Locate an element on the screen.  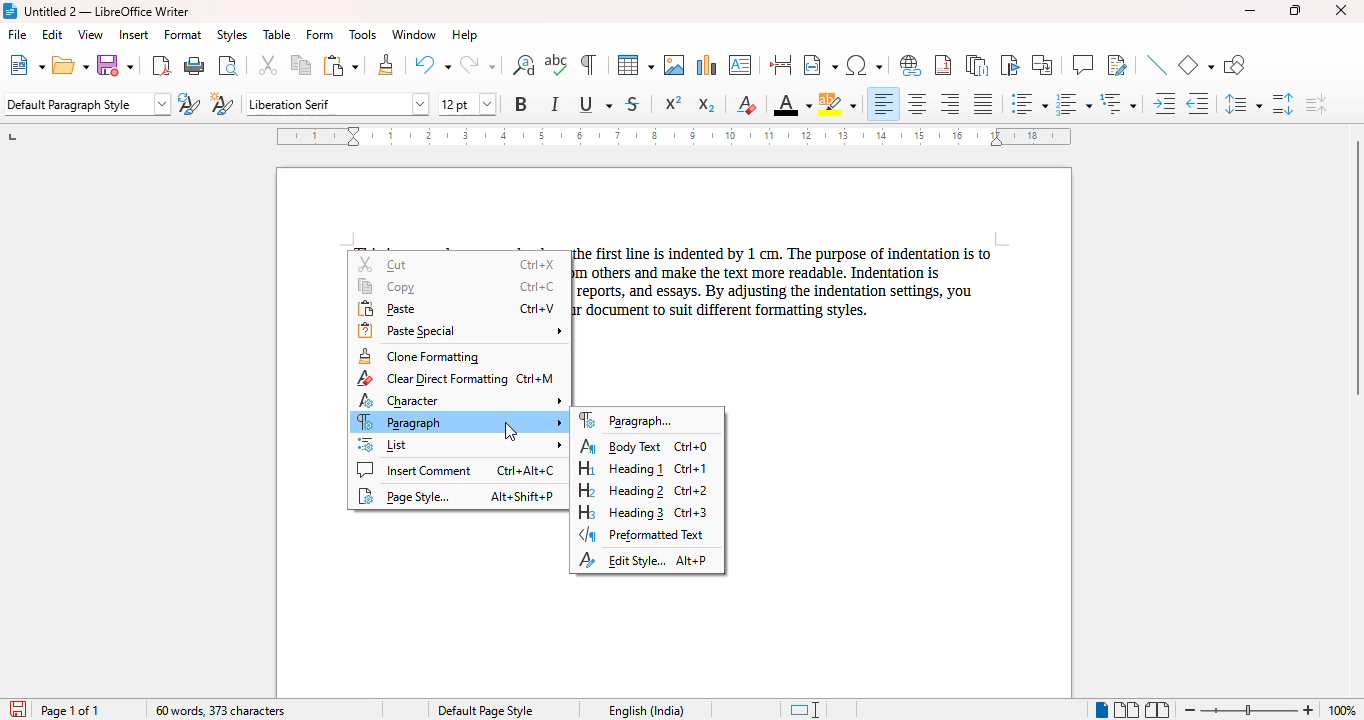
superscript is located at coordinates (673, 102).